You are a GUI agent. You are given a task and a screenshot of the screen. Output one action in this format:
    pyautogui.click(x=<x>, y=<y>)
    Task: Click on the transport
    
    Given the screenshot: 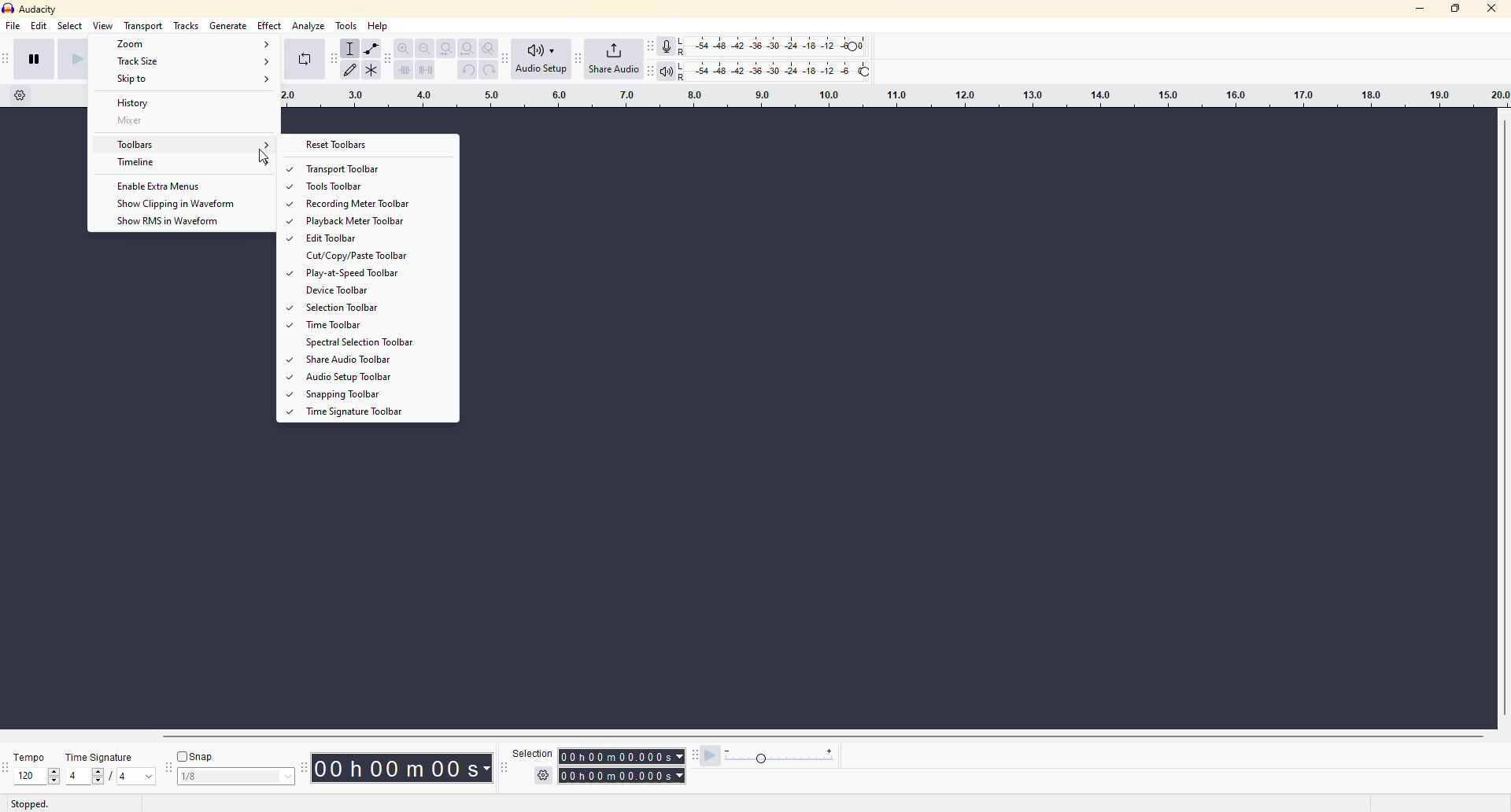 What is the action you would take?
    pyautogui.click(x=143, y=27)
    